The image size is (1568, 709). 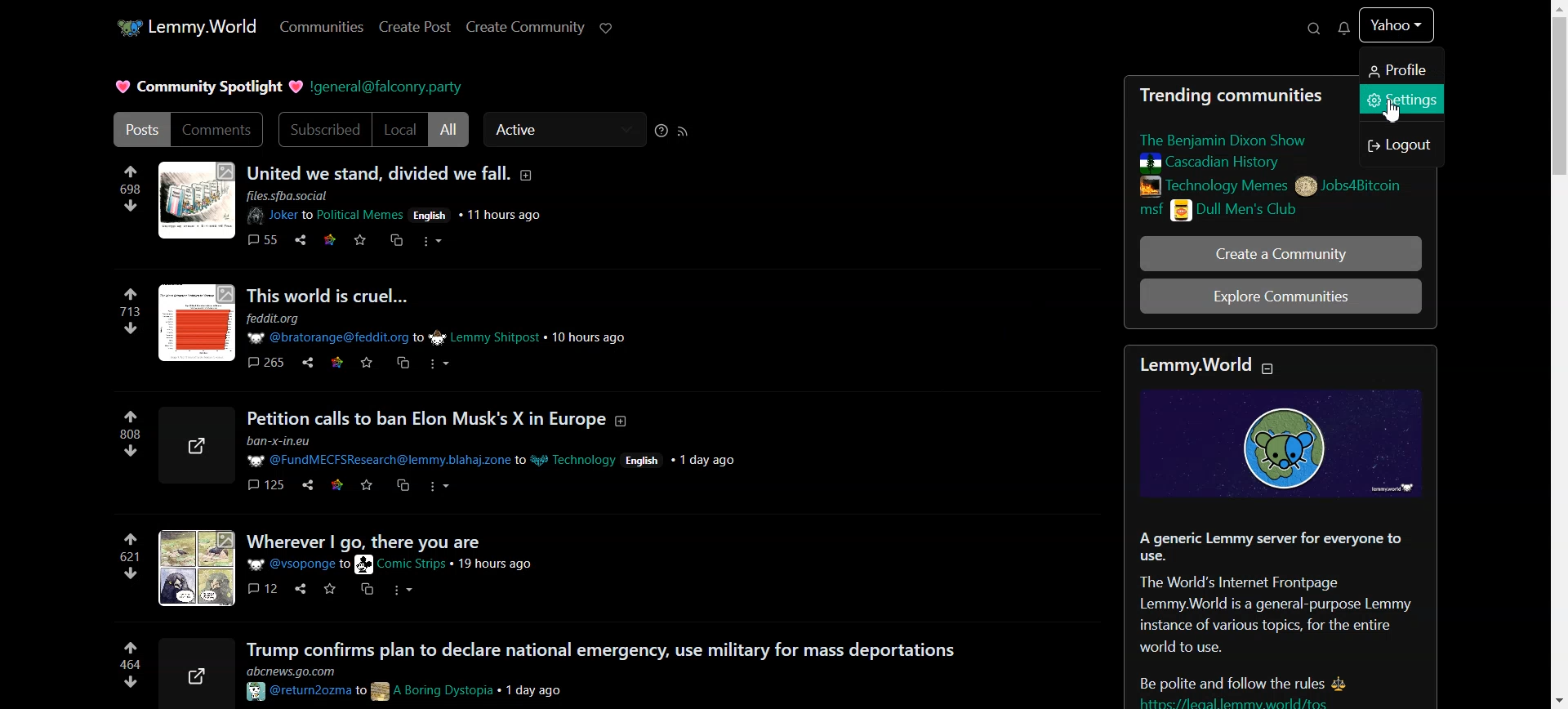 What do you see at coordinates (661, 130) in the screenshot?
I see `Sorting help` at bounding box center [661, 130].